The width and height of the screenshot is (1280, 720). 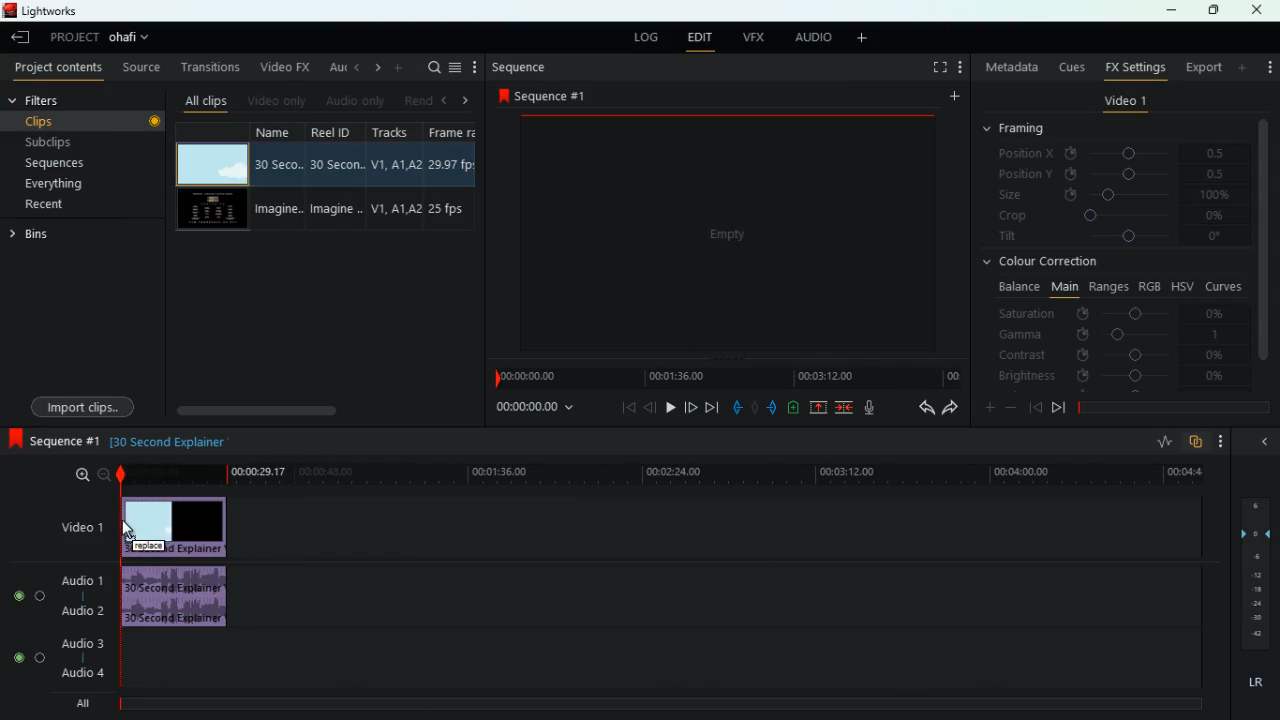 I want to click on audio only, so click(x=354, y=102).